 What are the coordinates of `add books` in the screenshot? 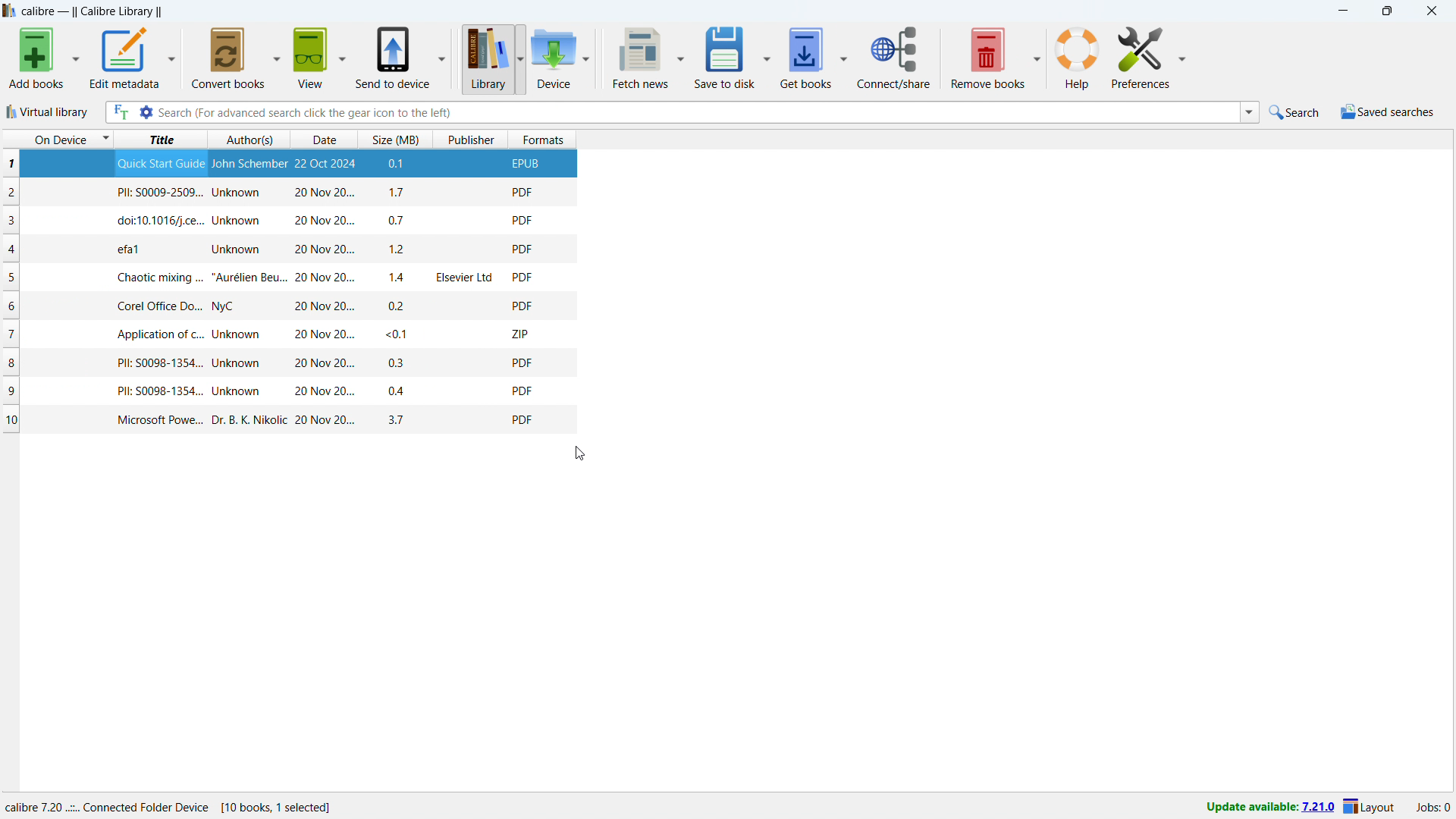 It's located at (37, 58).